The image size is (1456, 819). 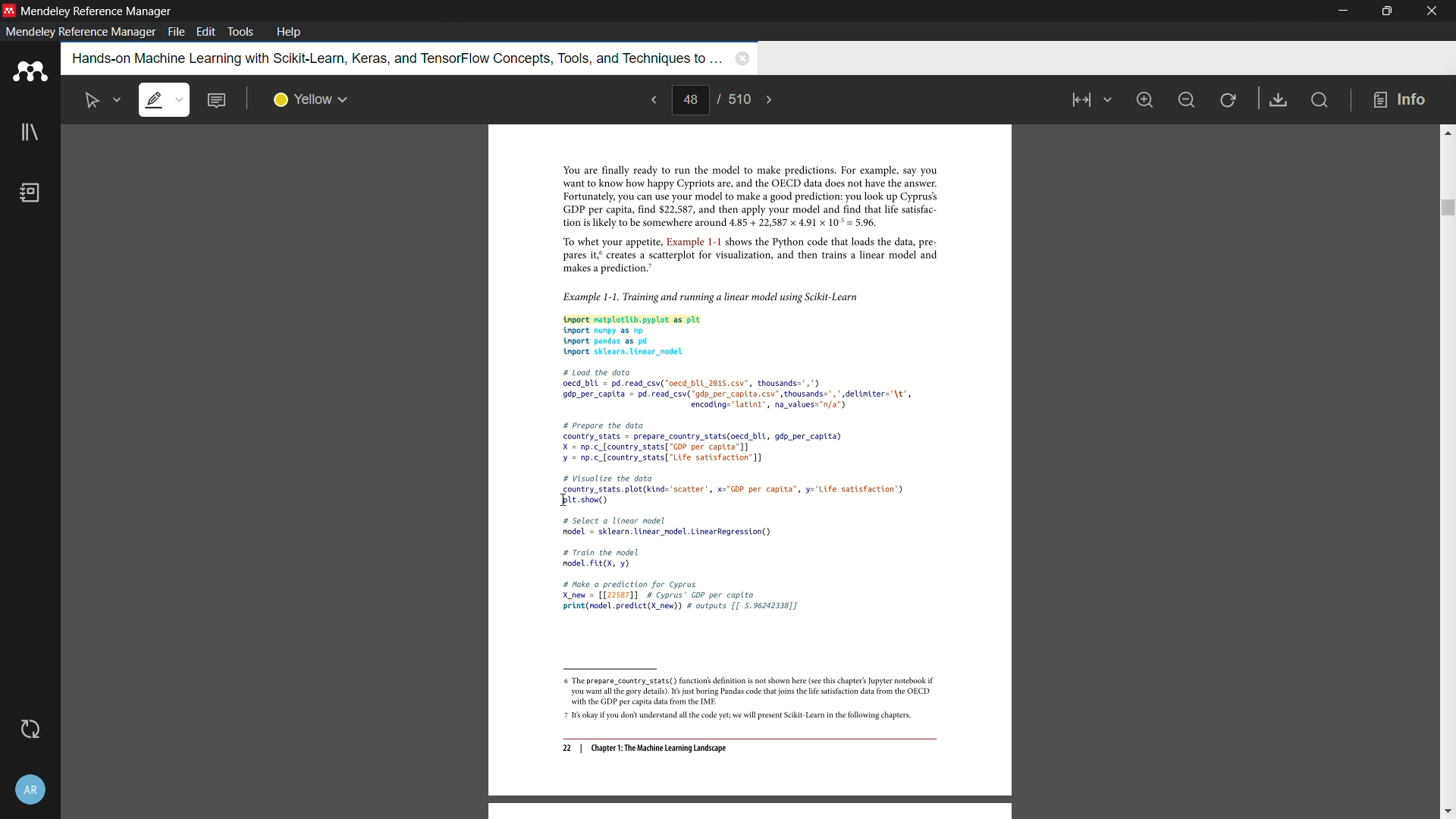 I want to click on You are finally ready to run the model to make predictions. For example, say you
want to know how happy Cypriots are, and the OECD data does not have the answer.
Fortunately, you can use your model to make a good prediction: you look up Cyprus’
GDP per capita, find $22,587, and then apply your model and find that life satsfac-
tion is likely to be somewhere around 4.85 + 22,587 x 4.91 x 10° = 5.96.

“To whet your appetite, Example 1-1 shows the Python code that loads the data, pre
pares it creates a scatterplot for visualization, and then trains a linear model and
‘makes a prediction.”, so click(x=741, y=220).